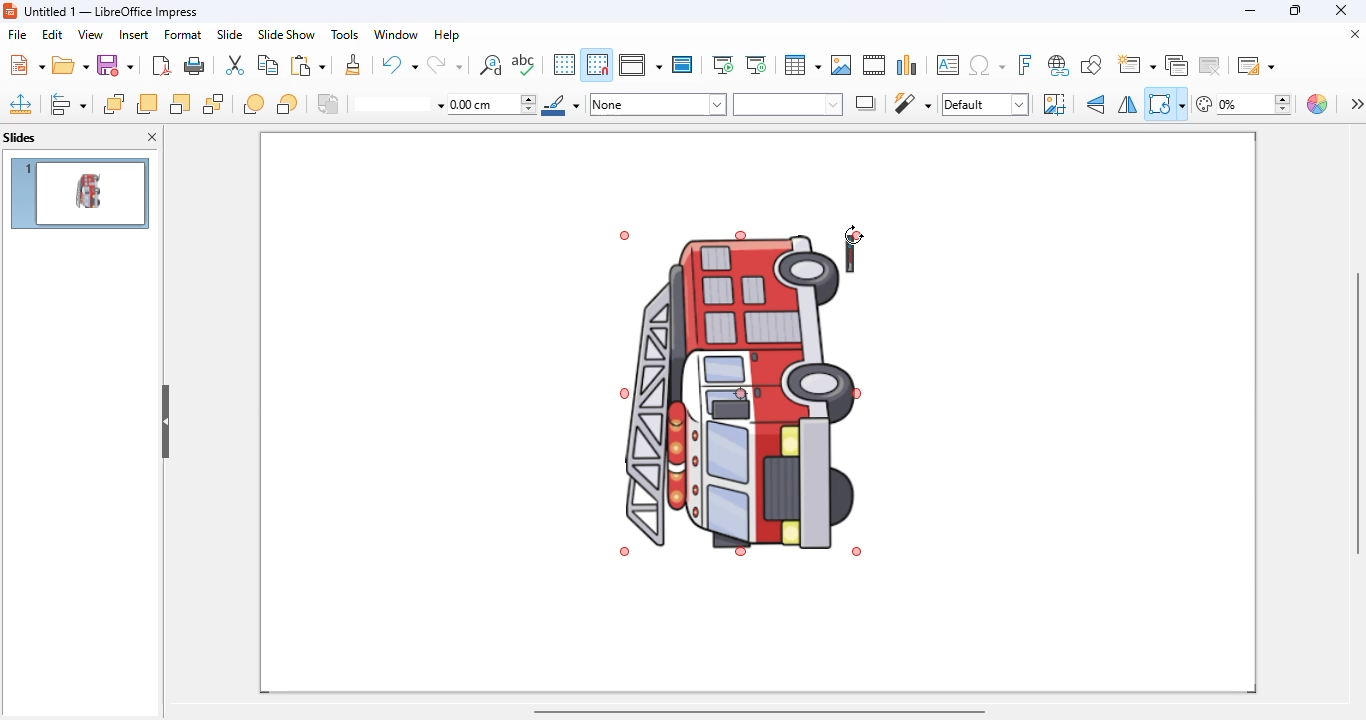 This screenshot has height=720, width=1366. What do you see at coordinates (26, 64) in the screenshot?
I see `new` at bounding box center [26, 64].